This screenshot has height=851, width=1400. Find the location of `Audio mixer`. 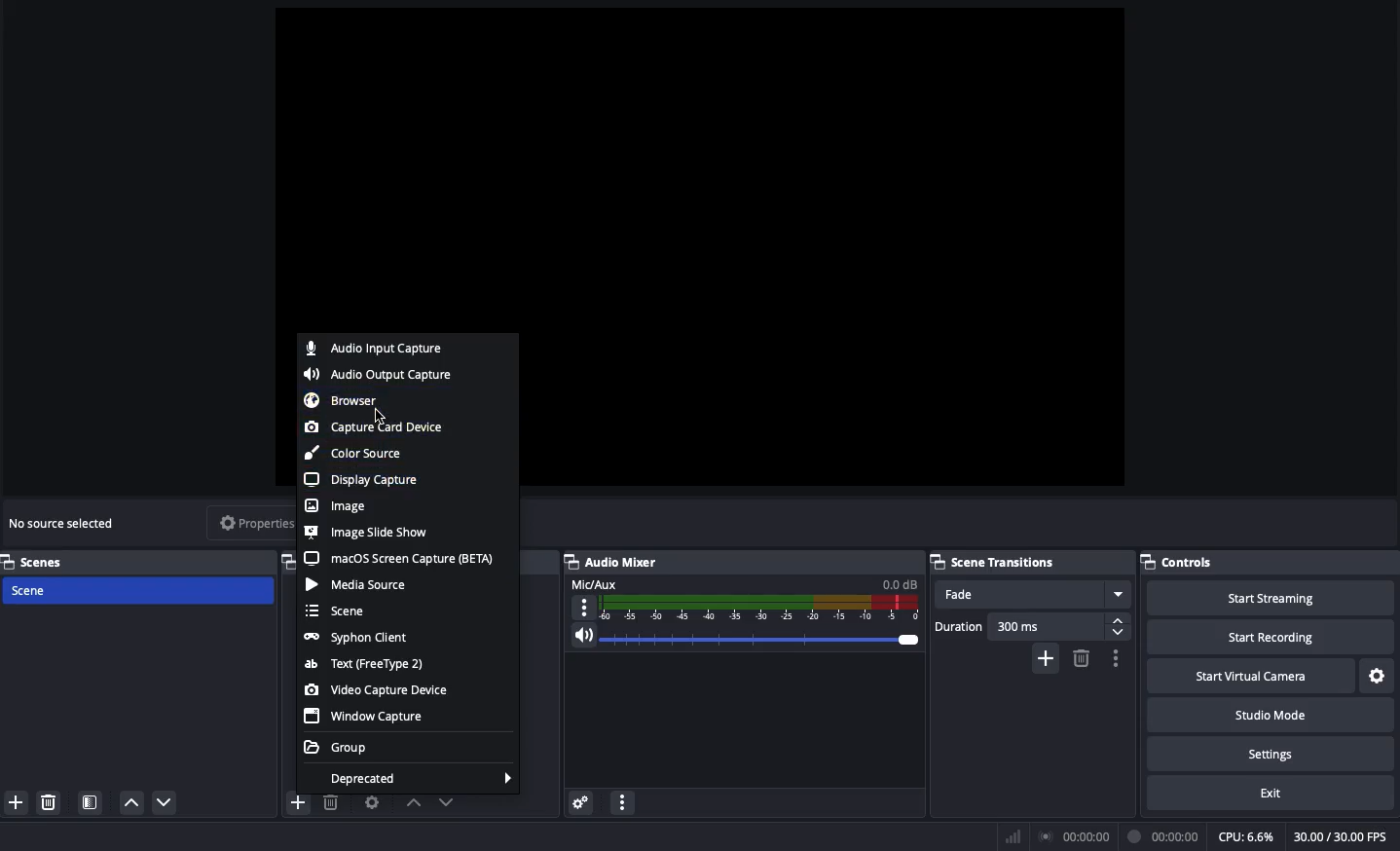

Audio mixer is located at coordinates (615, 562).